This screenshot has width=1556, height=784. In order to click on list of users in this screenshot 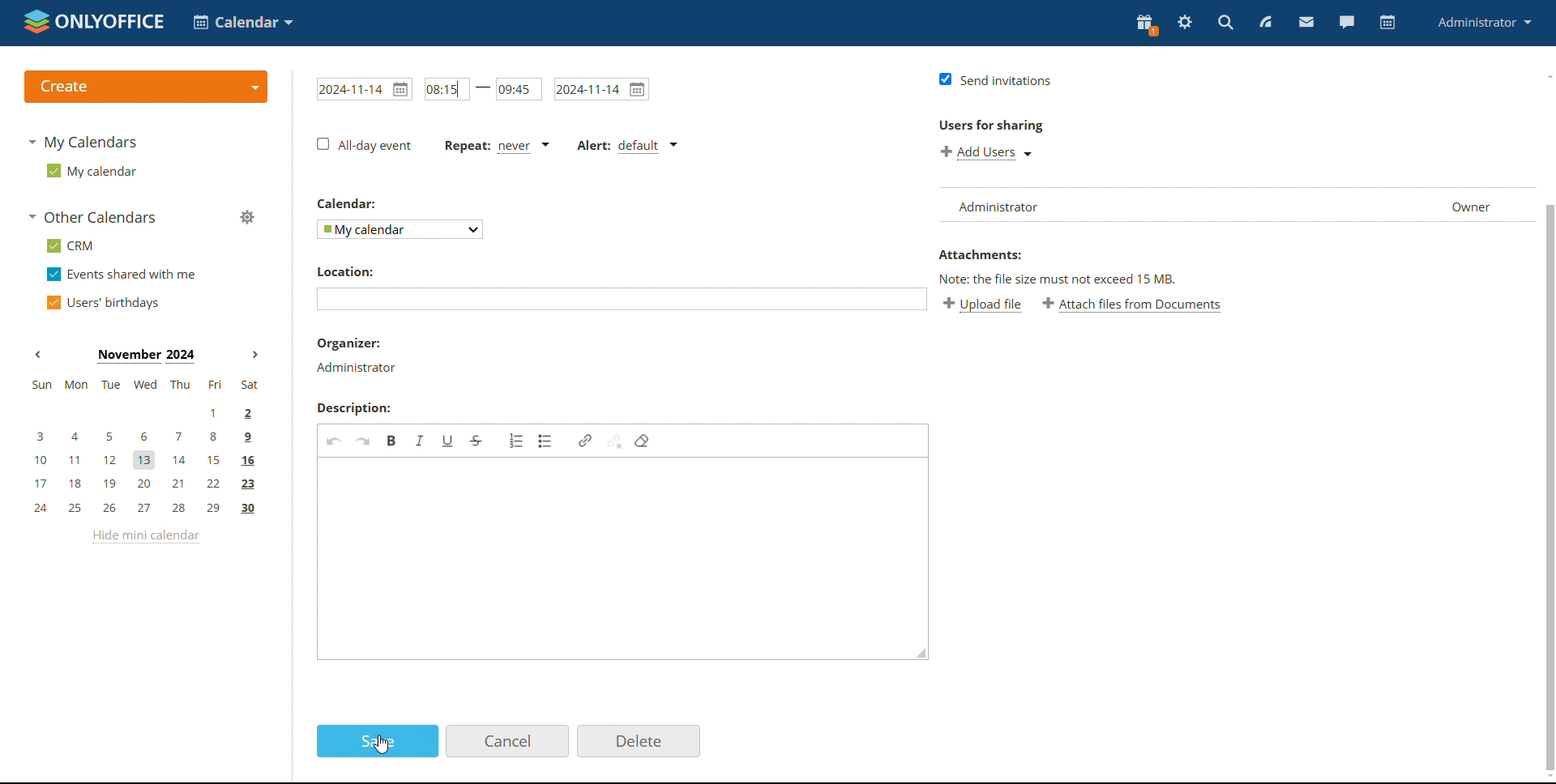, I will do `click(1172, 203)`.